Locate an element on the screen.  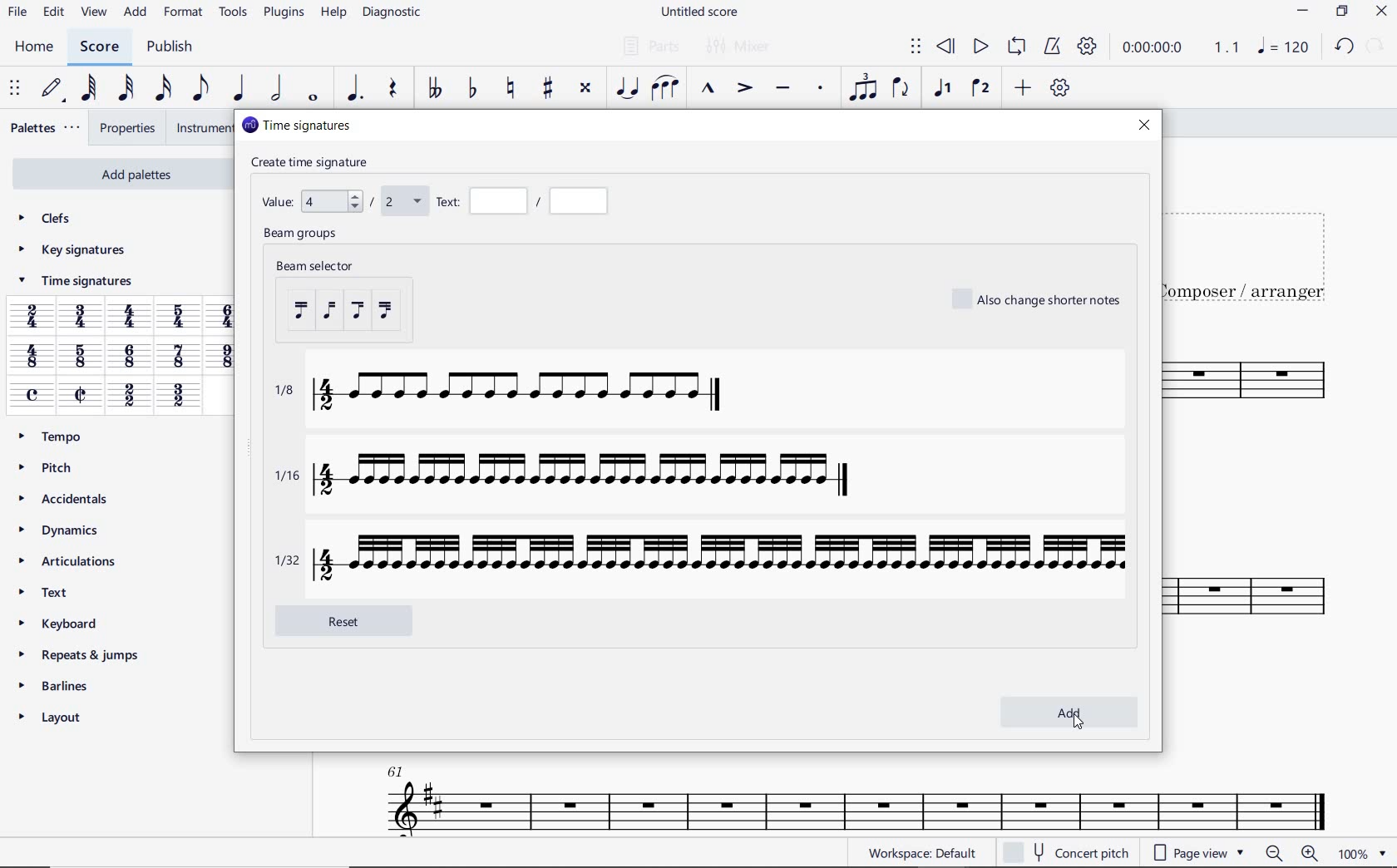
also change shorter notes is located at coordinates (1039, 298).